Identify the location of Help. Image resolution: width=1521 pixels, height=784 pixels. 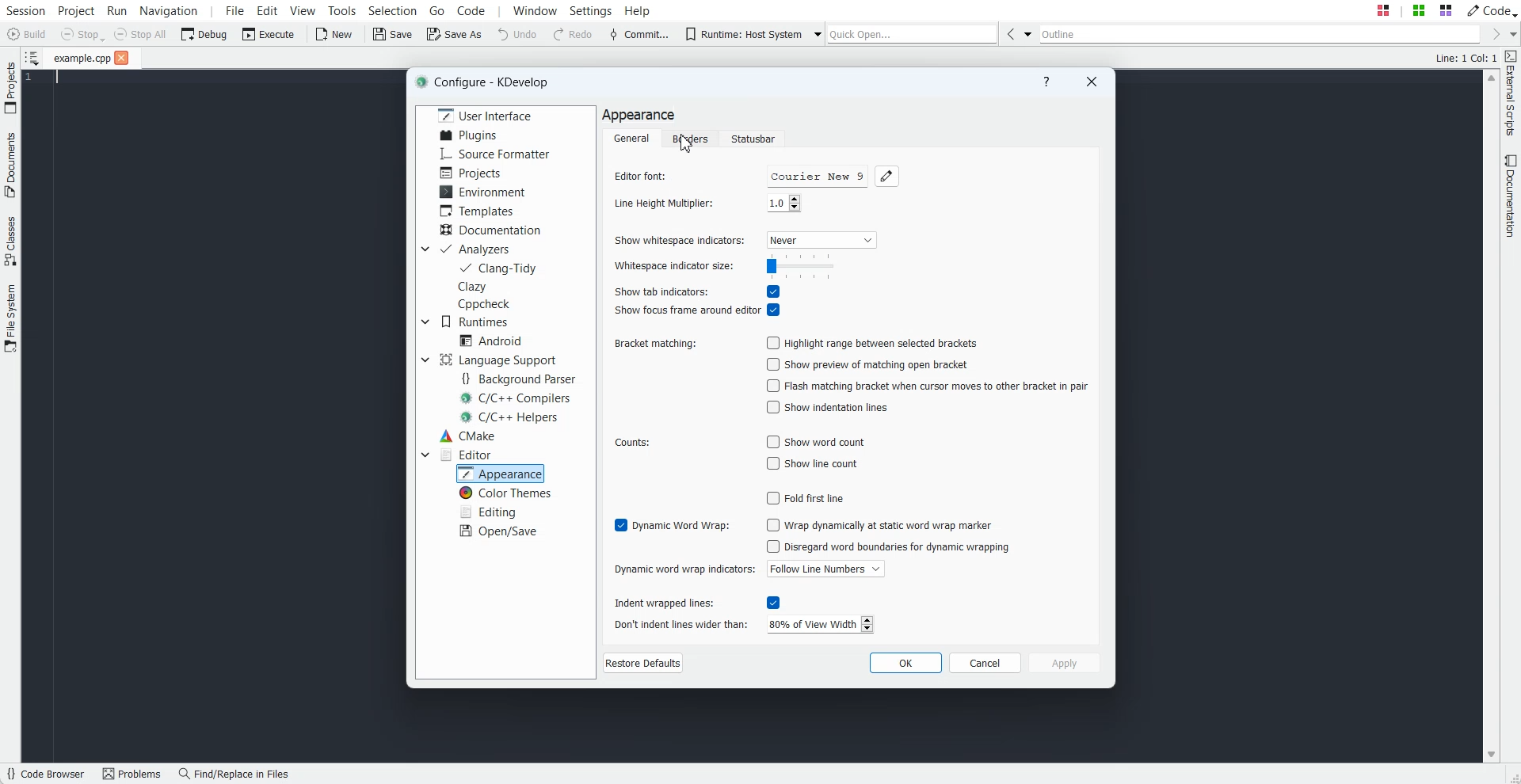
(1046, 81).